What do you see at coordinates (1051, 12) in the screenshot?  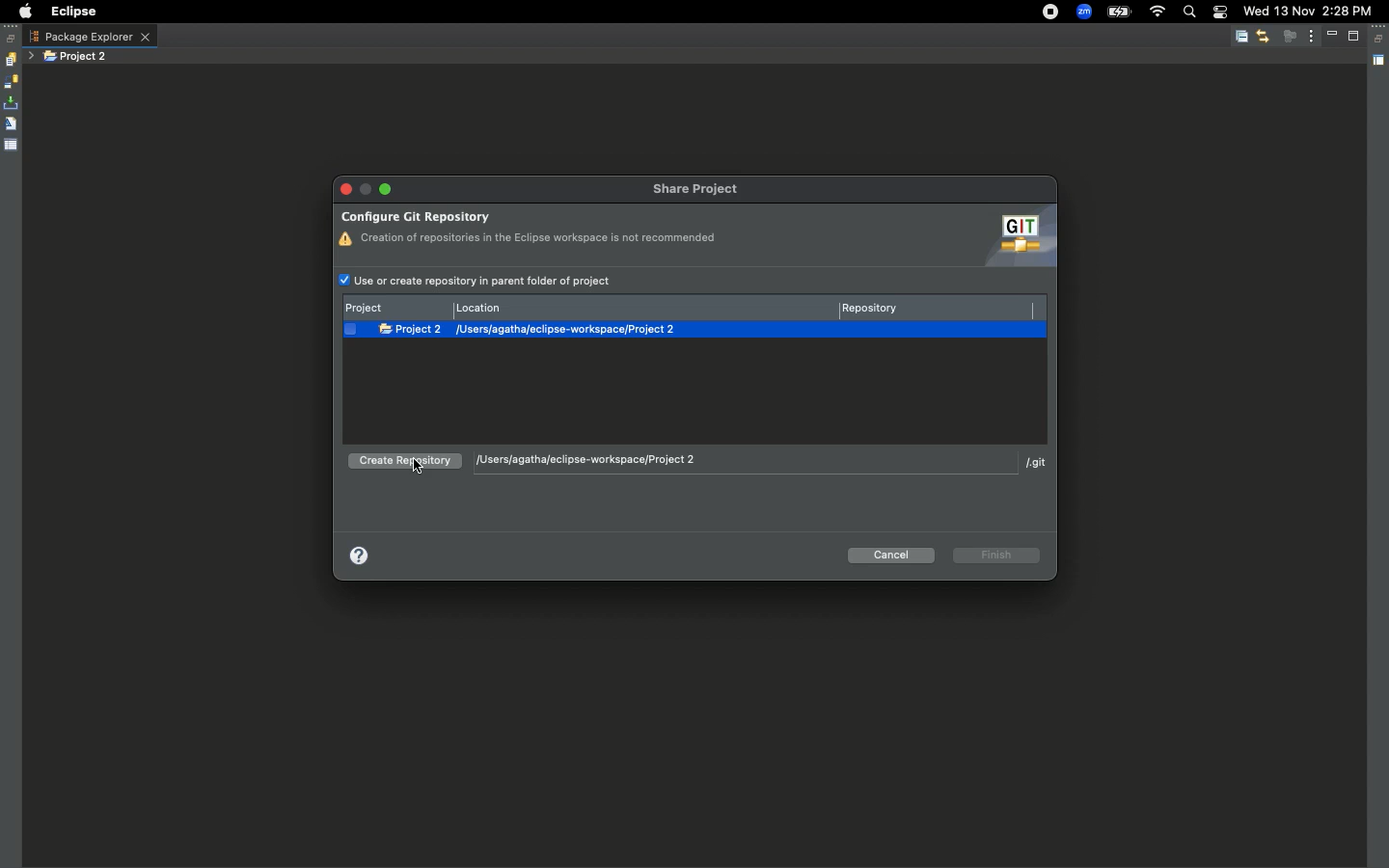 I see `Recording` at bounding box center [1051, 12].